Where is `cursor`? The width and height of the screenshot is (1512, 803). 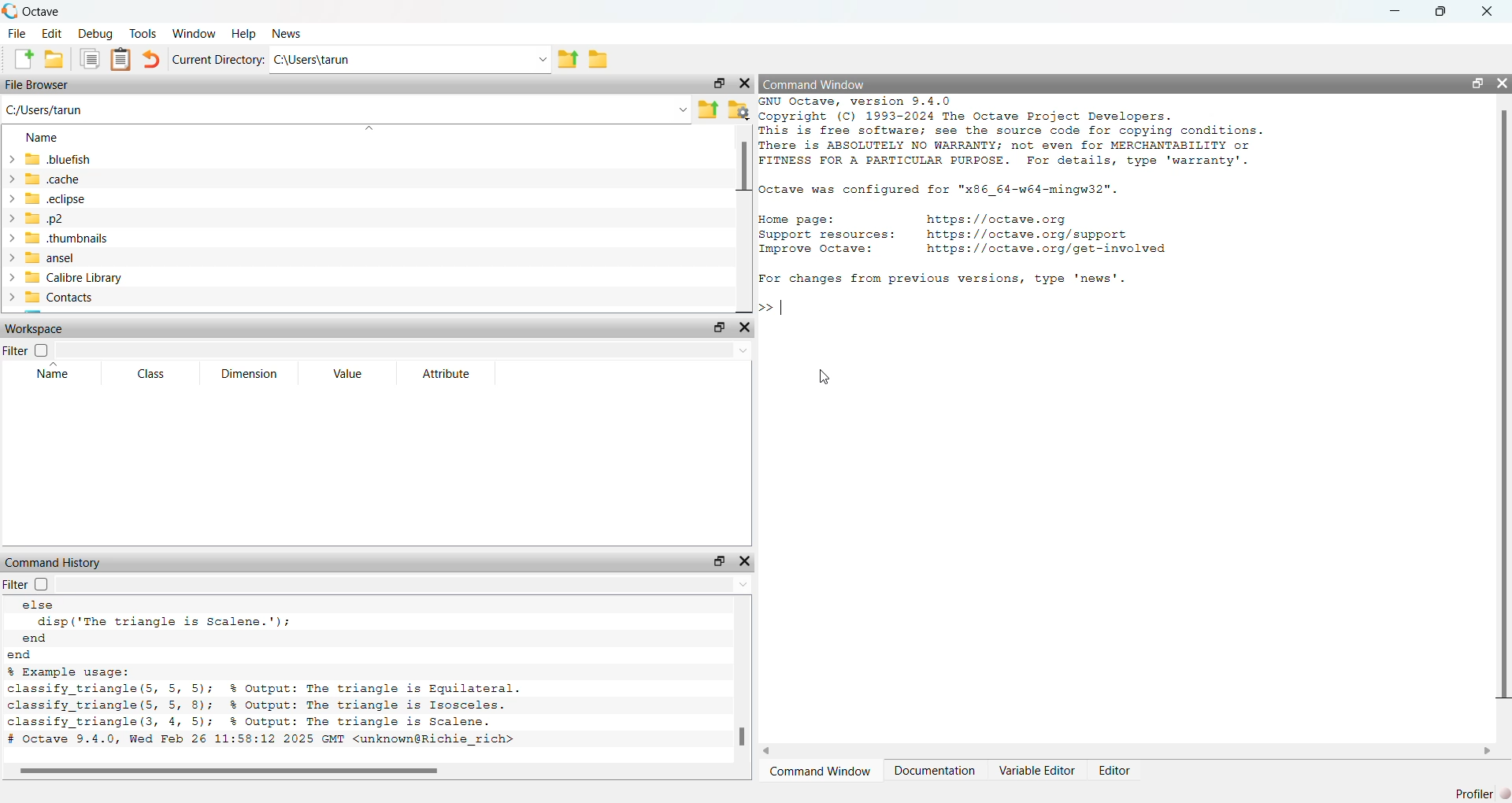 cursor is located at coordinates (821, 376).